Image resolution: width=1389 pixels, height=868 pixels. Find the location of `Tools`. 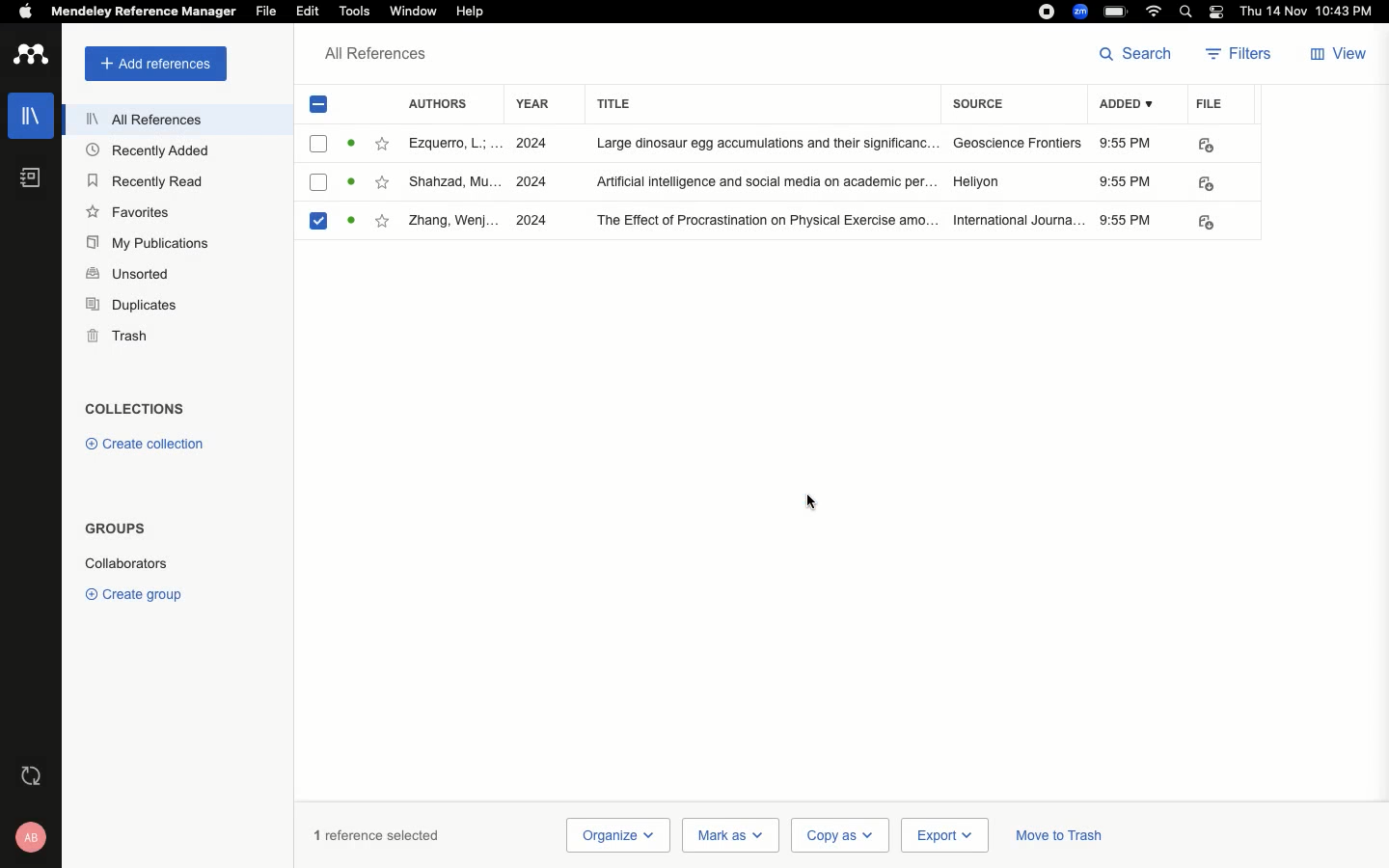

Tools is located at coordinates (352, 11).